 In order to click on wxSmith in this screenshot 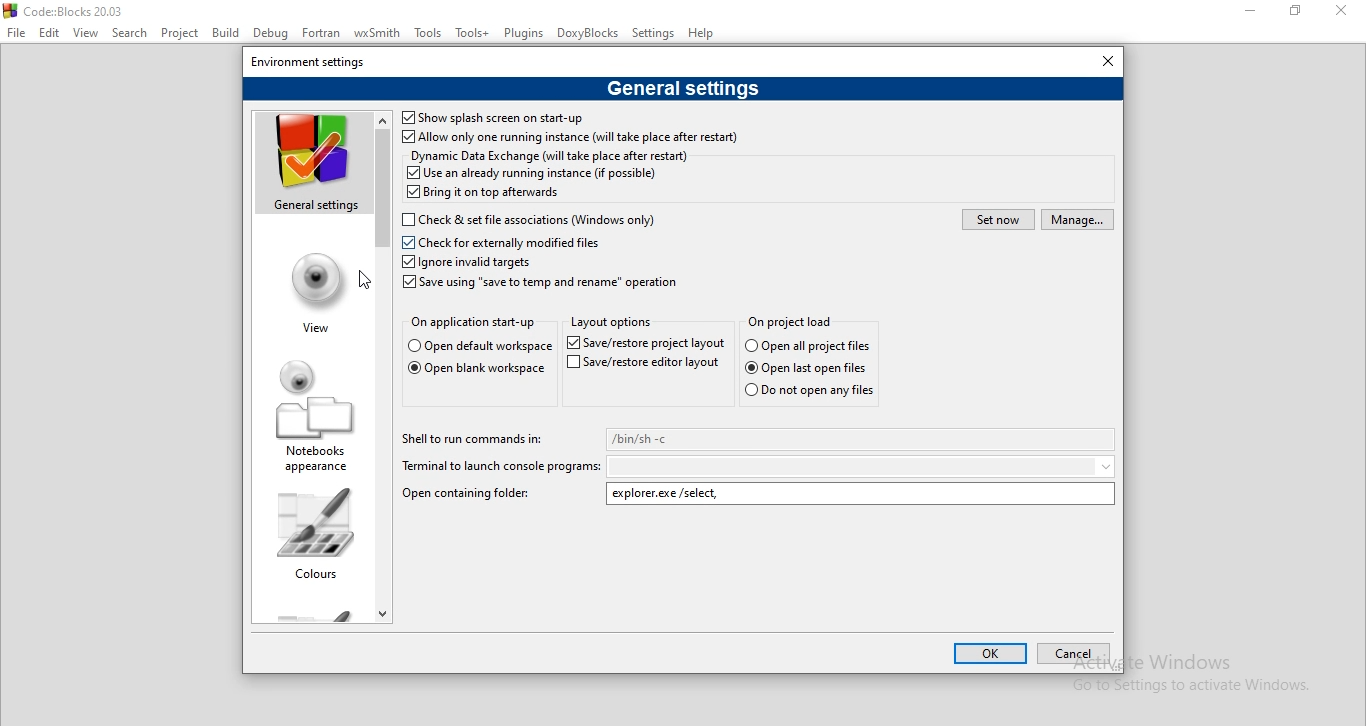, I will do `click(380, 34)`.